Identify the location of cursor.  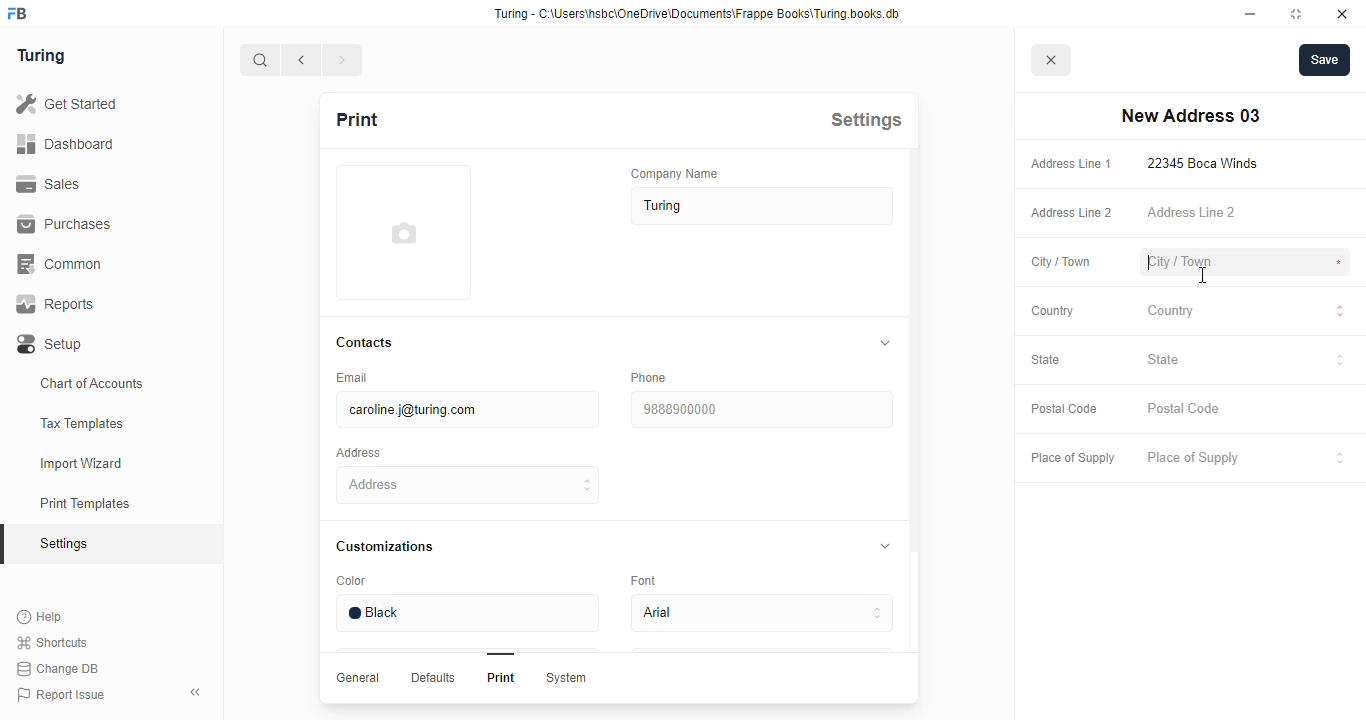
(1203, 276).